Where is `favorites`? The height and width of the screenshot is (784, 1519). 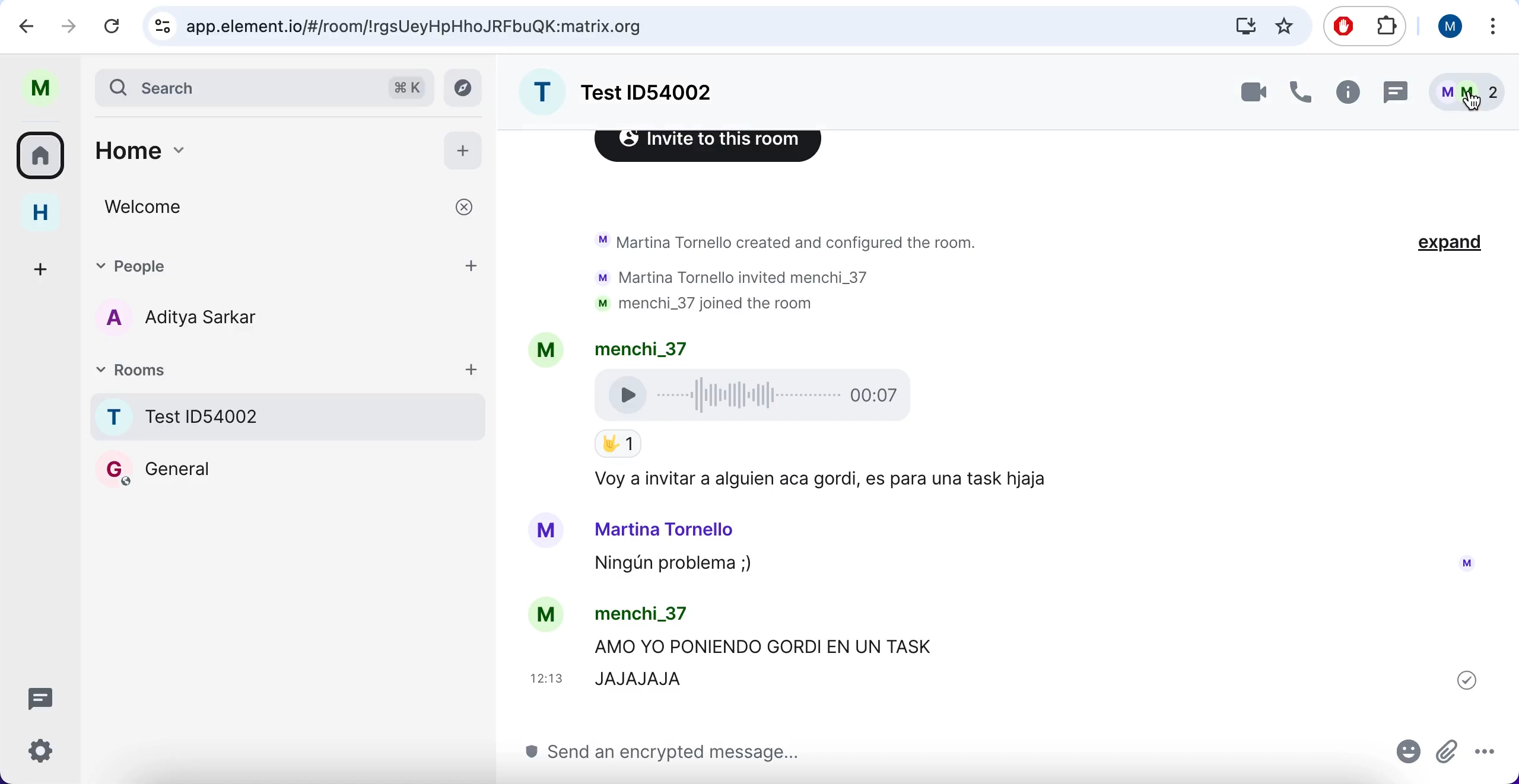
favorites is located at coordinates (1283, 26).